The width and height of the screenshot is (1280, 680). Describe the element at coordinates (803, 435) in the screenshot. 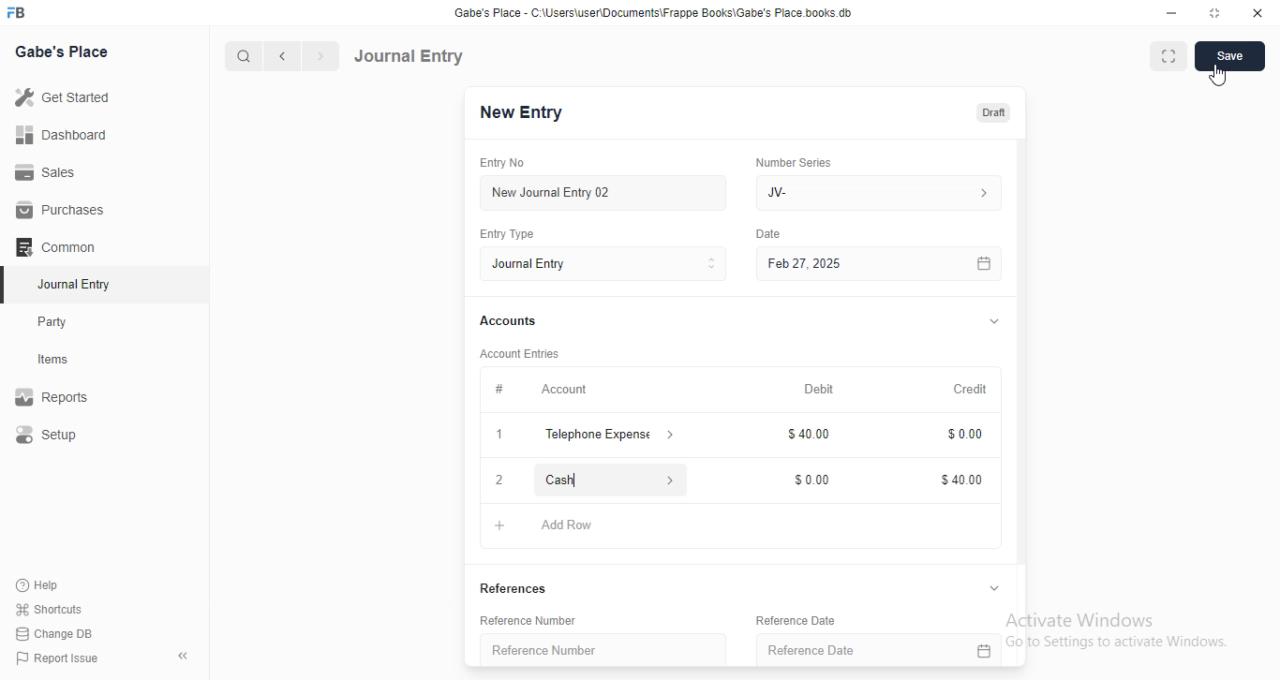

I see `40.00` at that location.